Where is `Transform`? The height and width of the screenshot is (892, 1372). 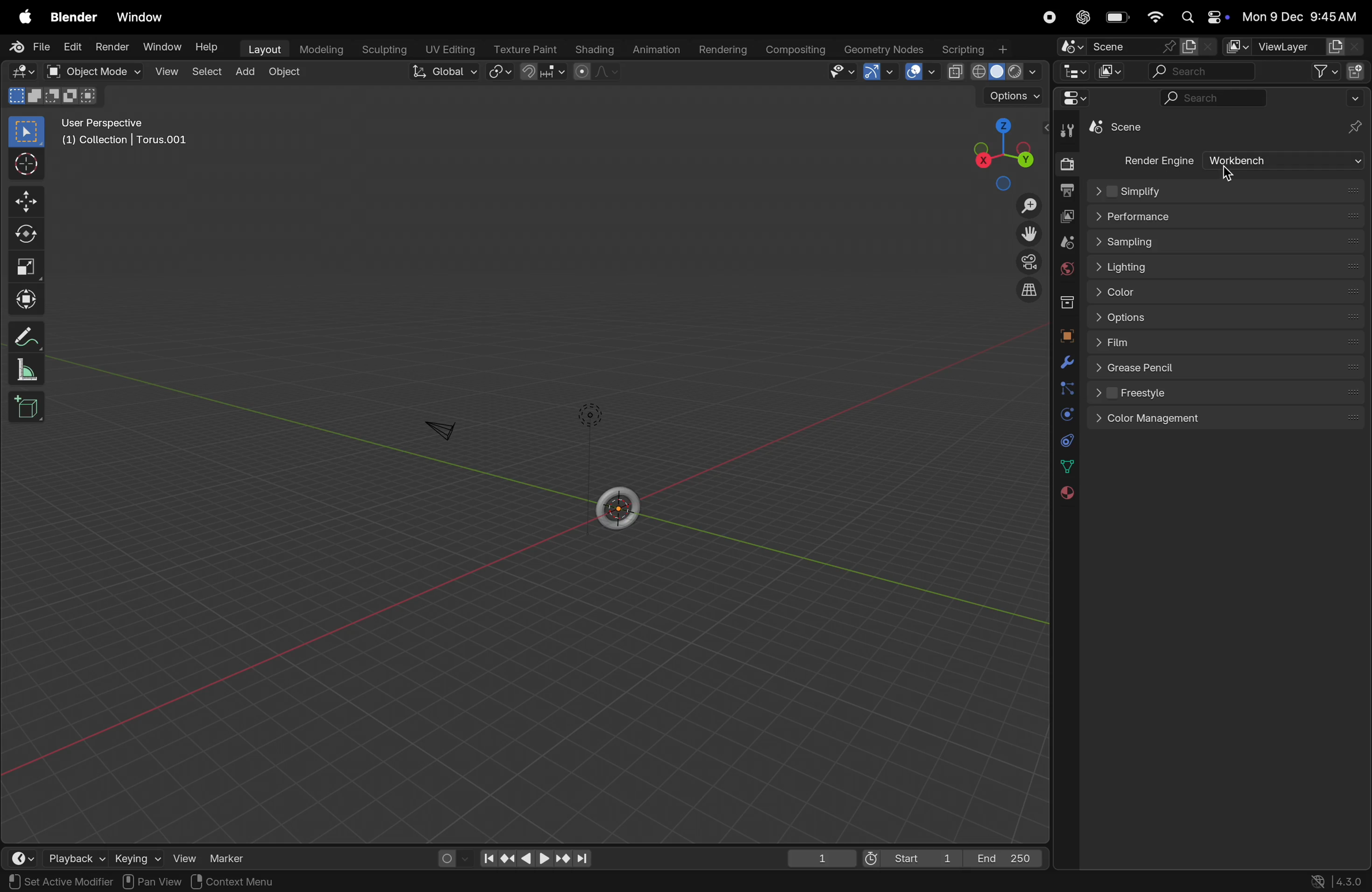
Transform is located at coordinates (29, 297).